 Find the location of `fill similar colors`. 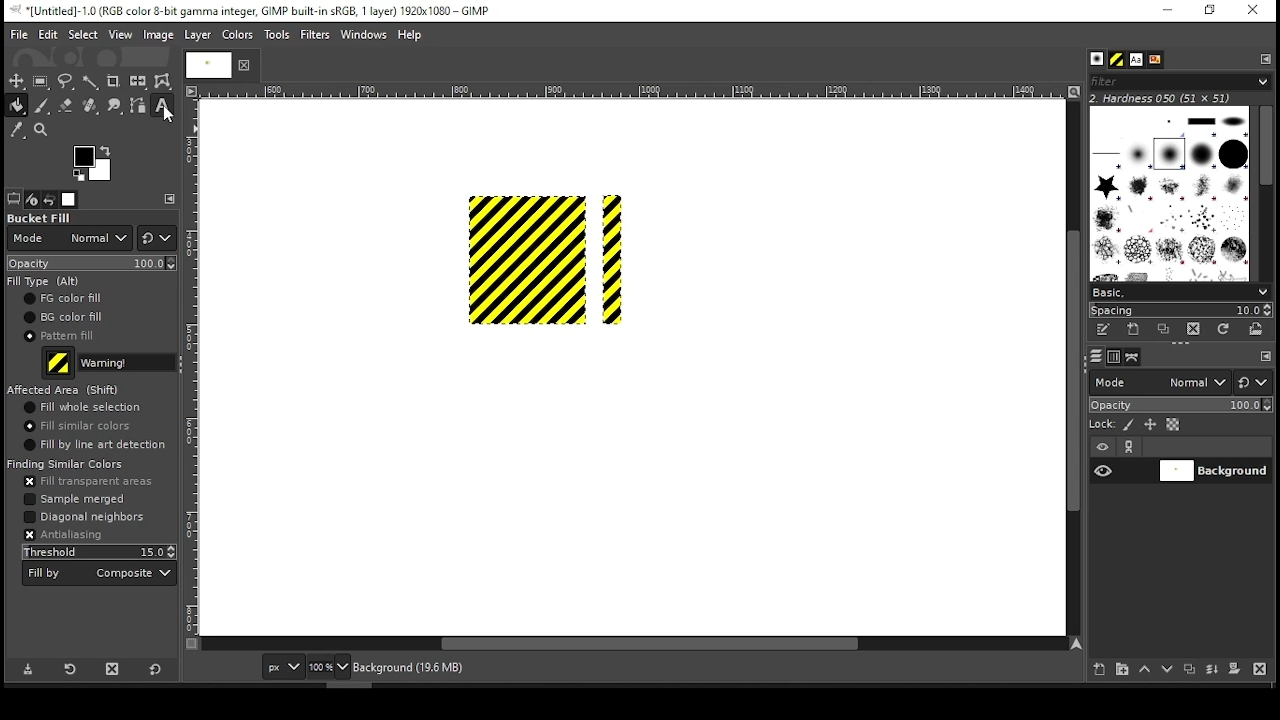

fill similar colors is located at coordinates (75, 426).